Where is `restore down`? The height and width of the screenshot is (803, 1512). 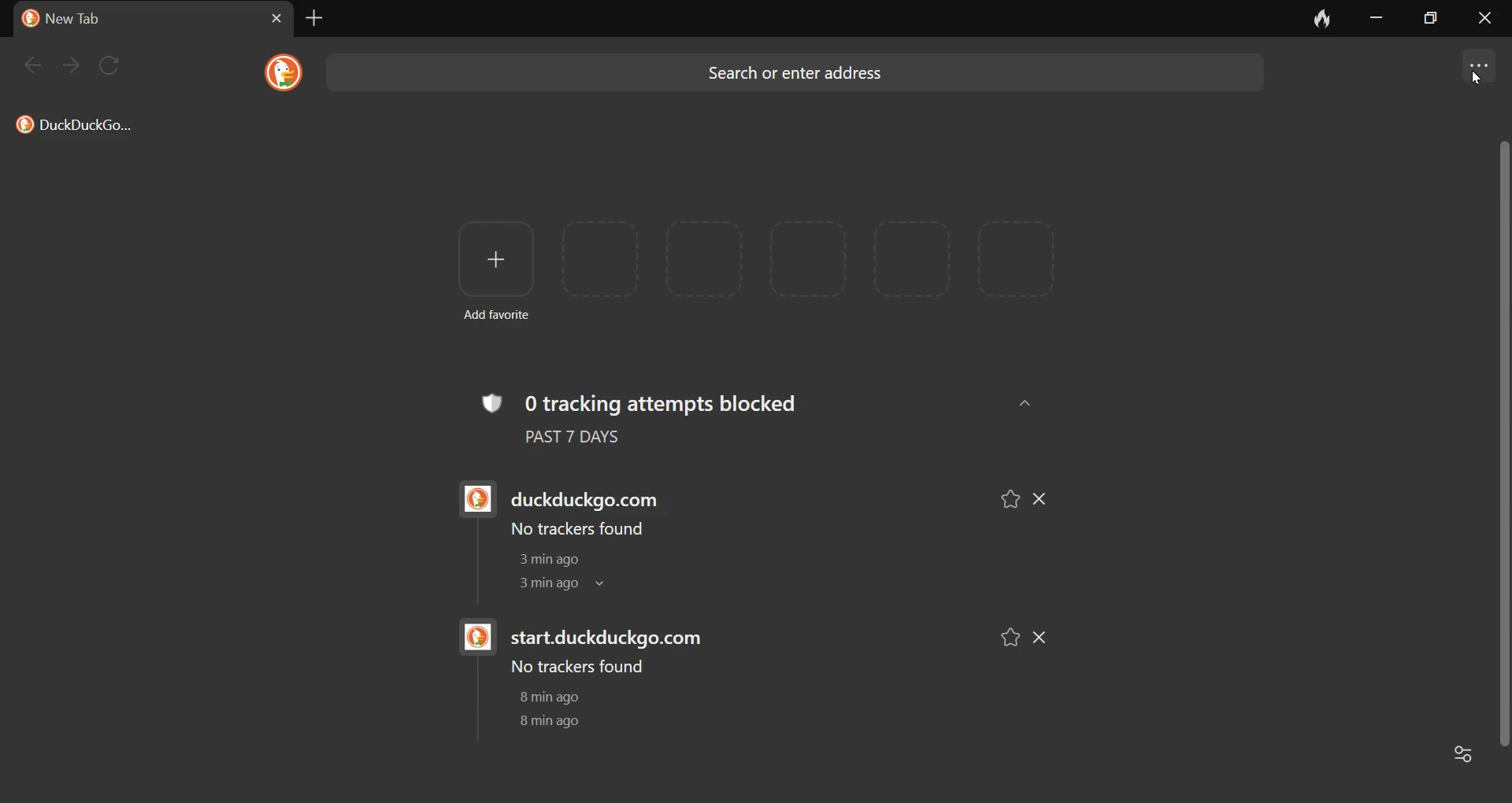 restore down is located at coordinates (1437, 21).